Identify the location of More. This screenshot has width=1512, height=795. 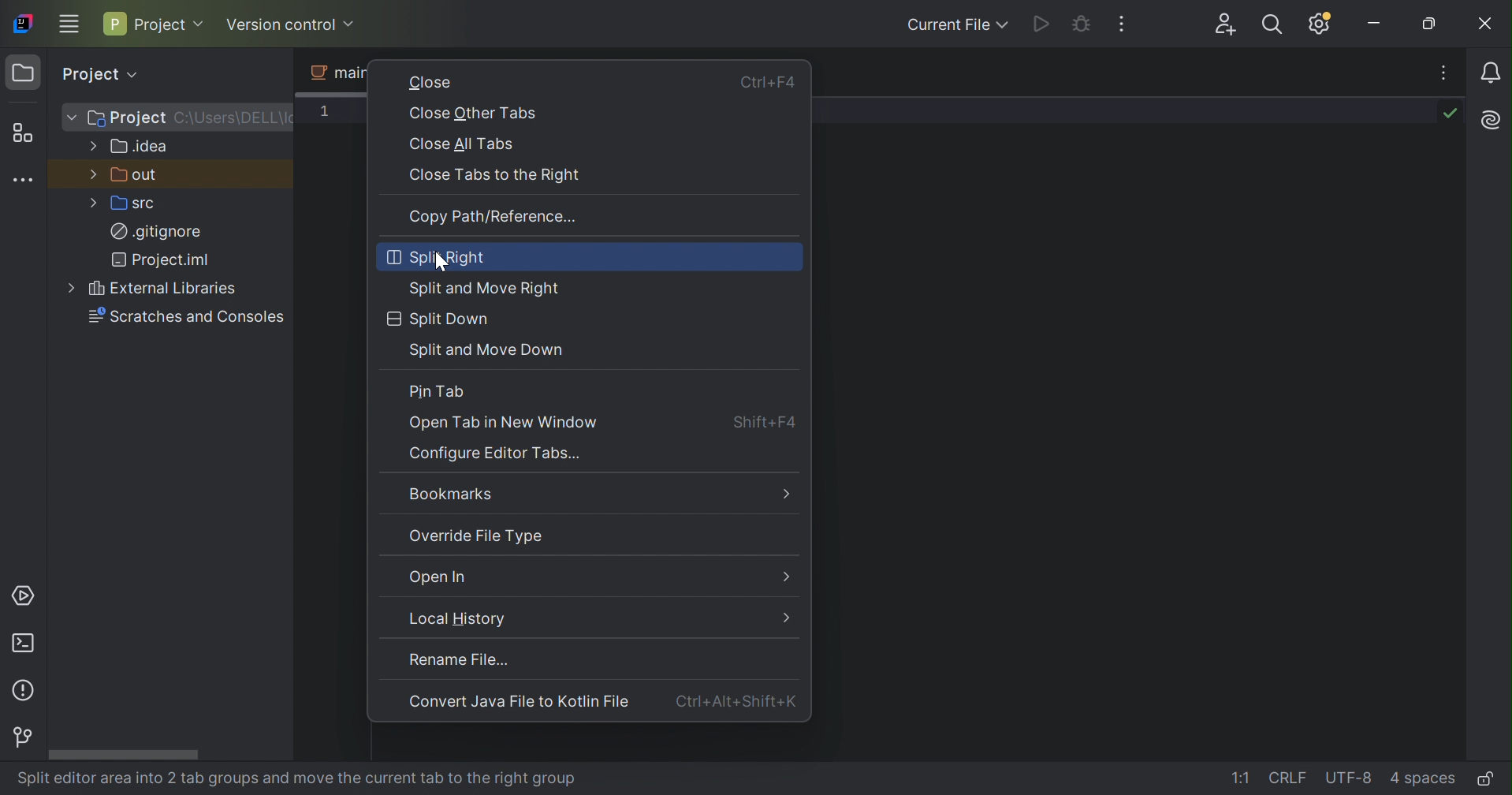
(93, 204).